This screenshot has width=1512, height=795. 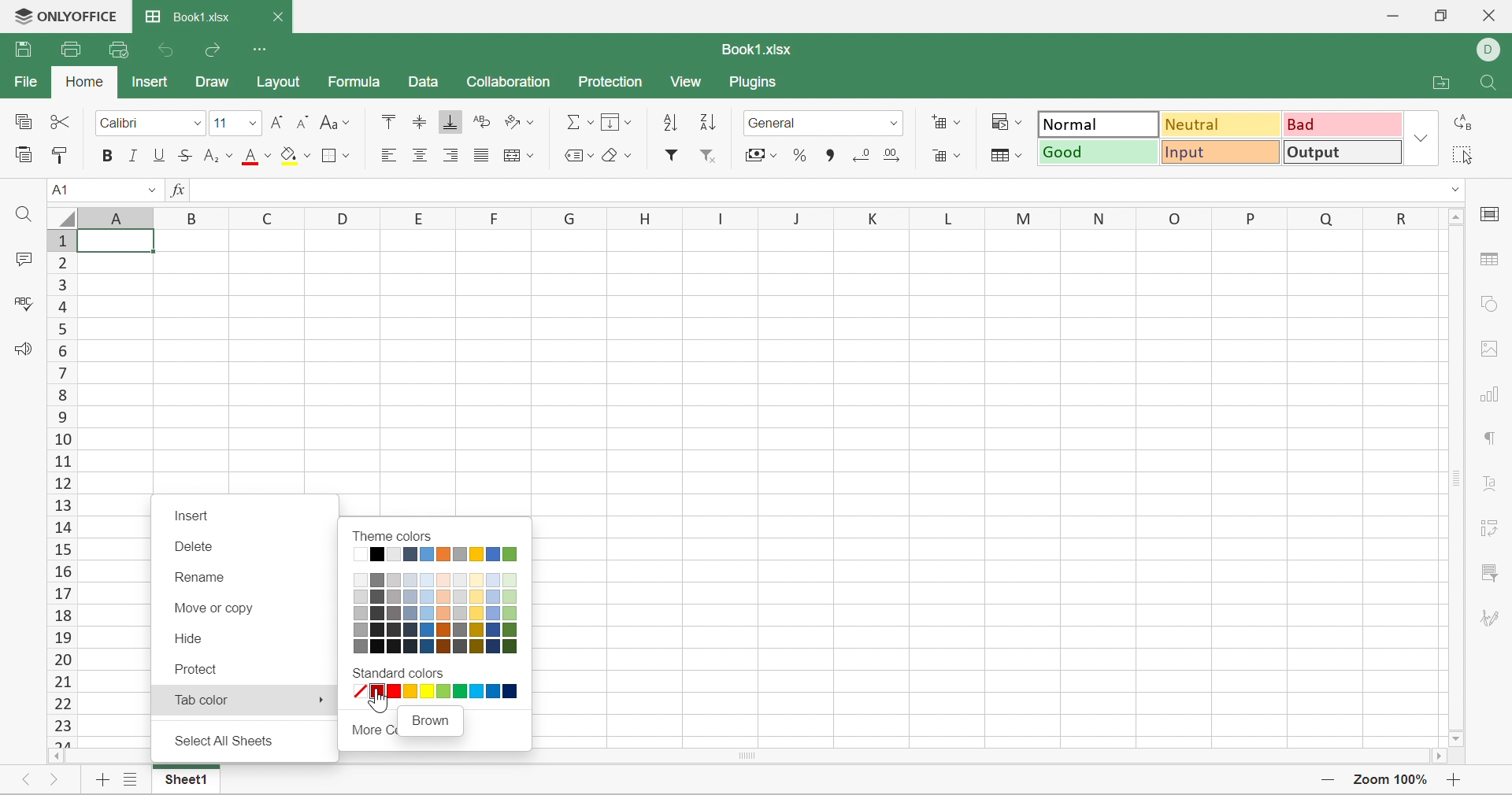 I want to click on 1, so click(x=58, y=242).